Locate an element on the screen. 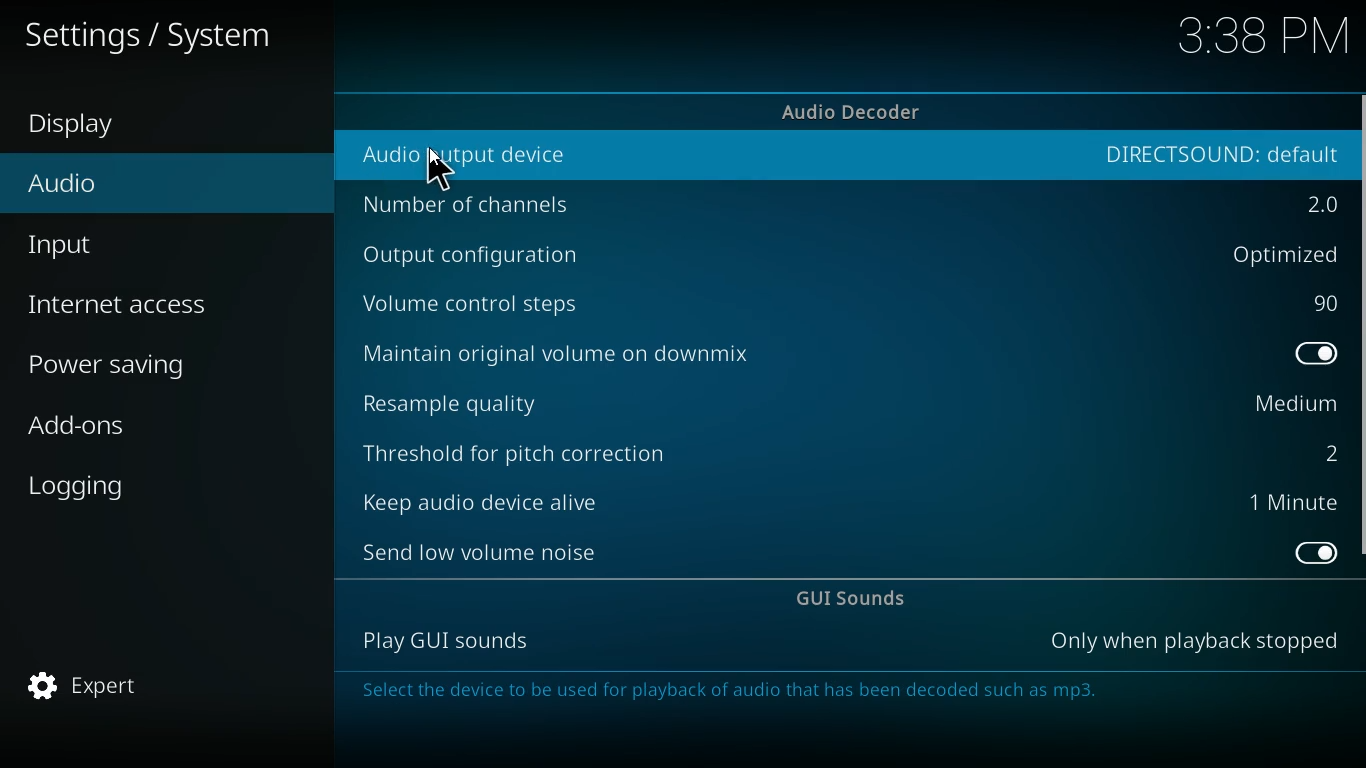 The height and width of the screenshot is (768, 1366). play gui sounds is located at coordinates (439, 641).